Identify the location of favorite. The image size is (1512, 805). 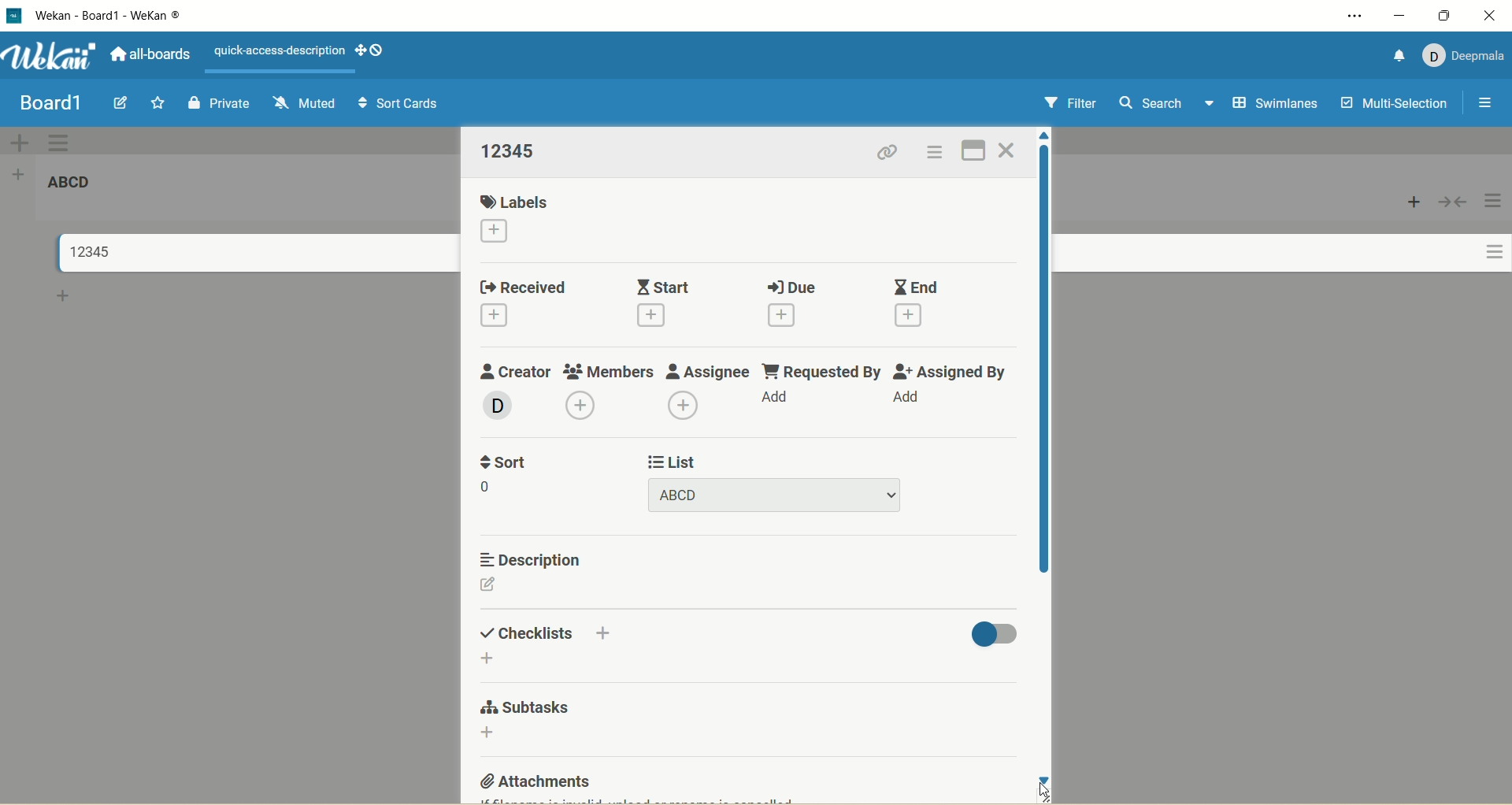
(154, 106).